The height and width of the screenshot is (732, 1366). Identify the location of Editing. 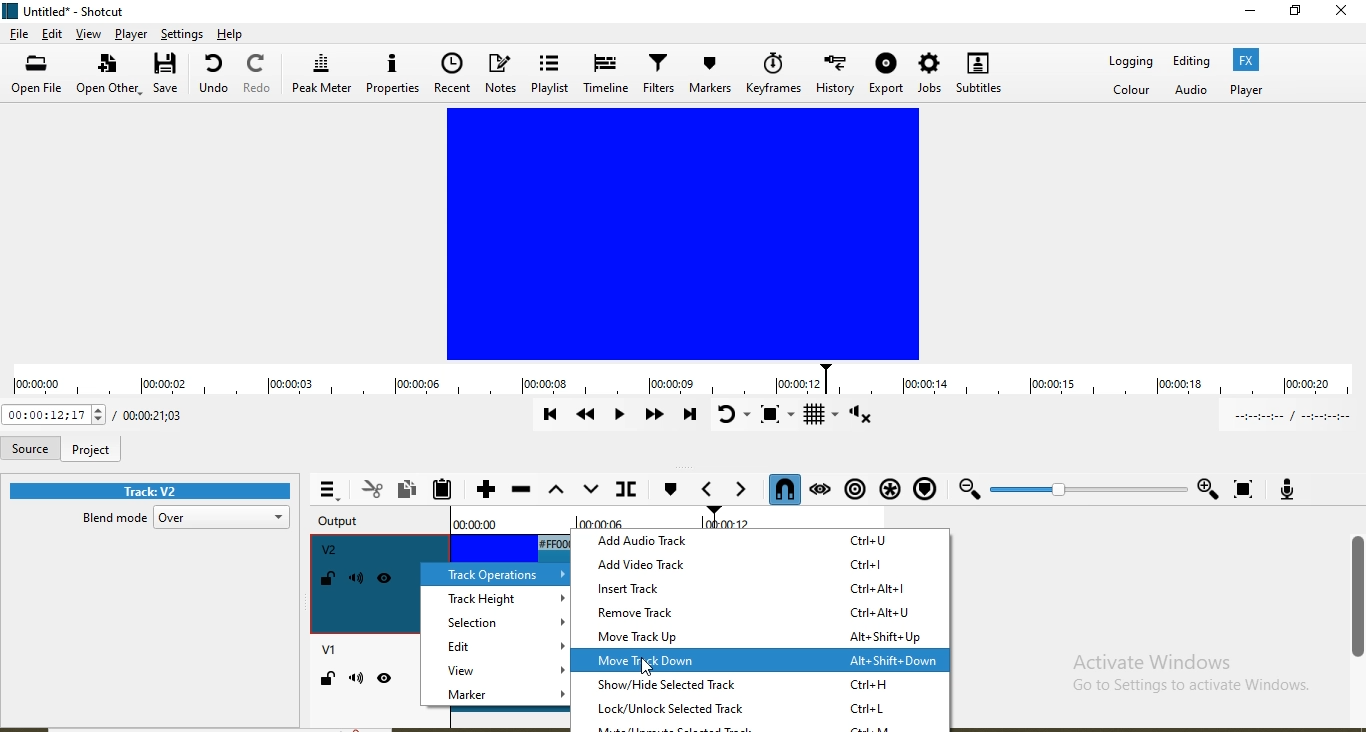
(1194, 62).